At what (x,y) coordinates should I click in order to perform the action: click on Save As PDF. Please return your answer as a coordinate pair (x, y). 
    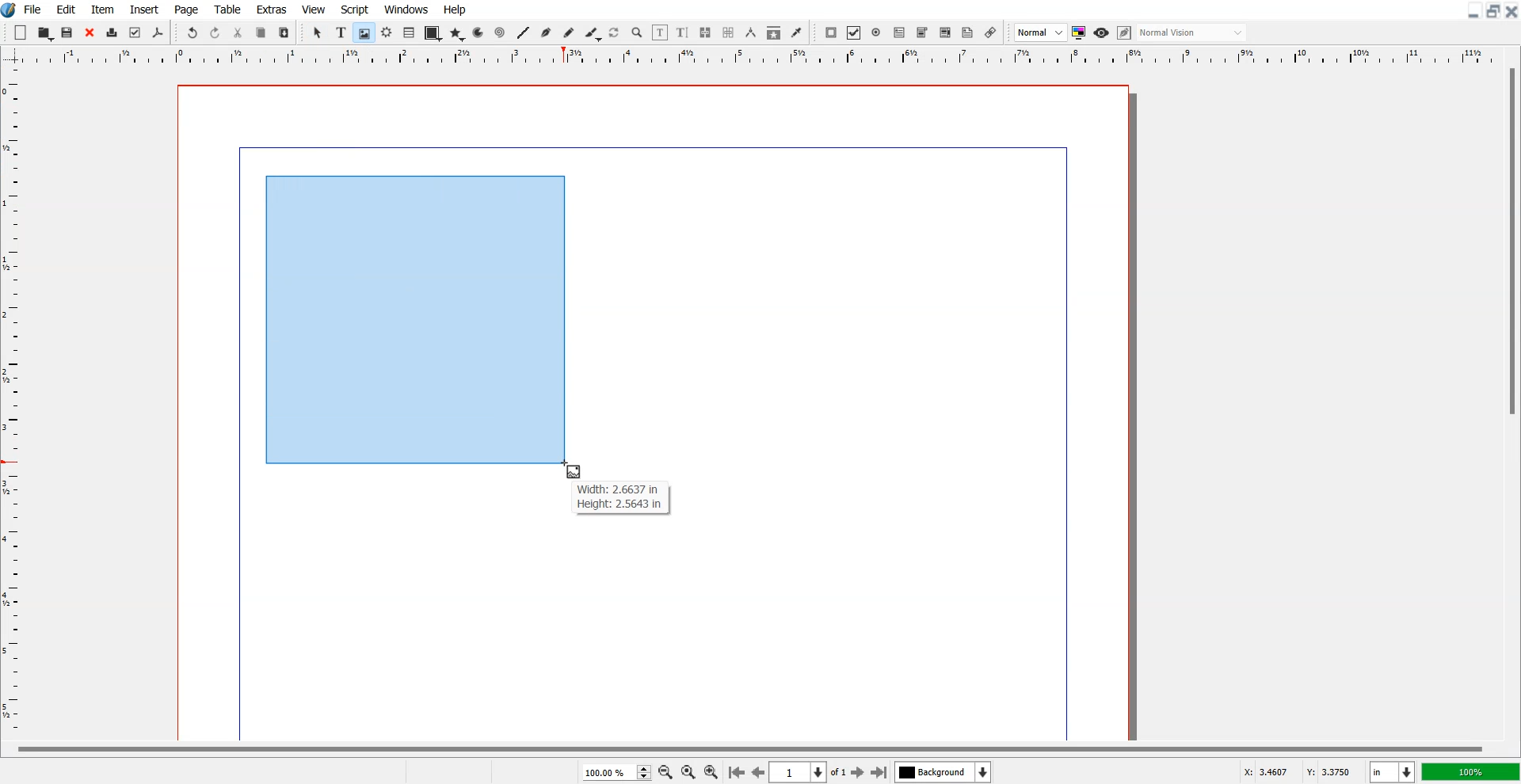
    Looking at the image, I should click on (158, 33).